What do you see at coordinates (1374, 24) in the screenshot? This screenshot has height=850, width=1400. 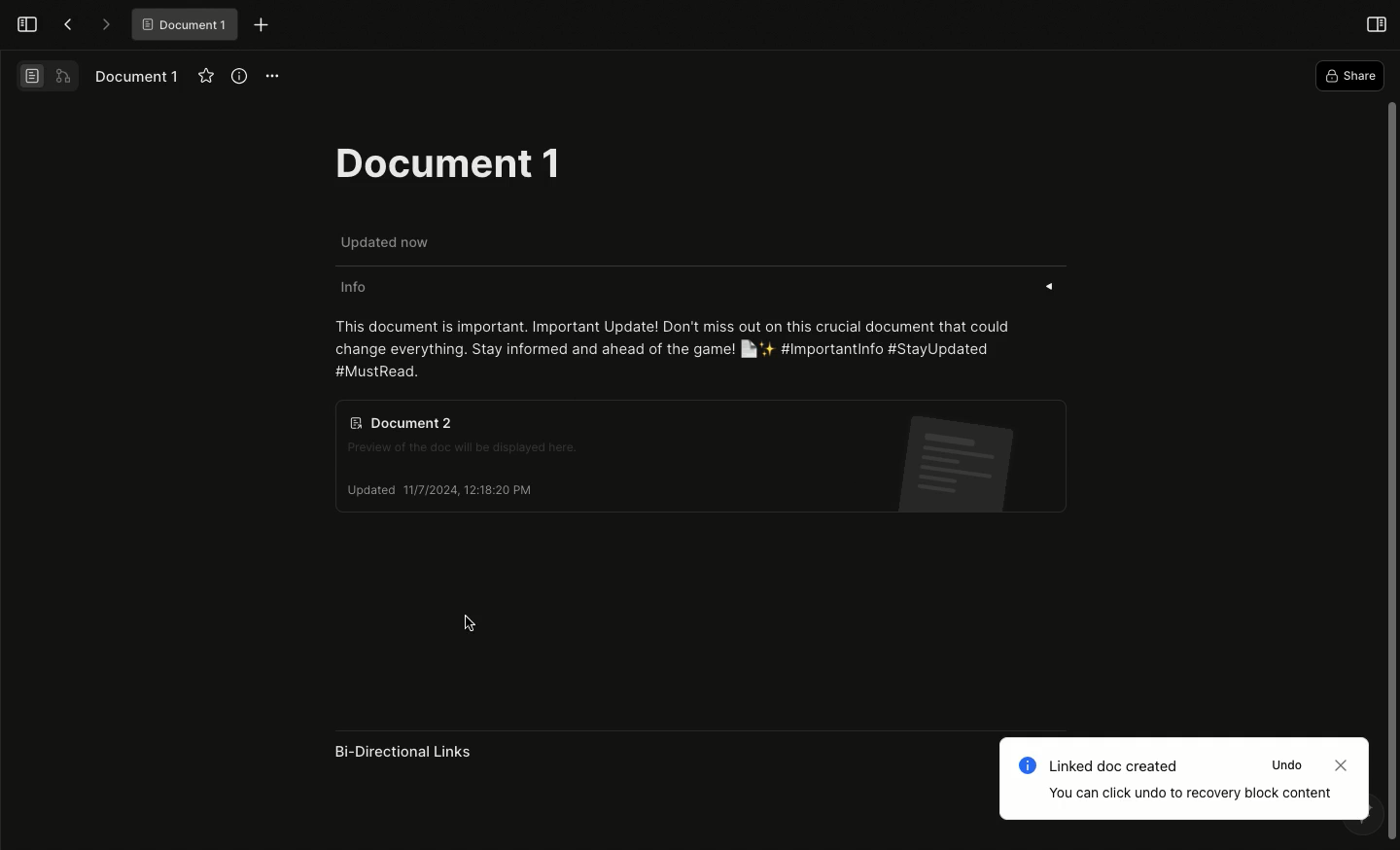 I see `Open right panel` at bounding box center [1374, 24].